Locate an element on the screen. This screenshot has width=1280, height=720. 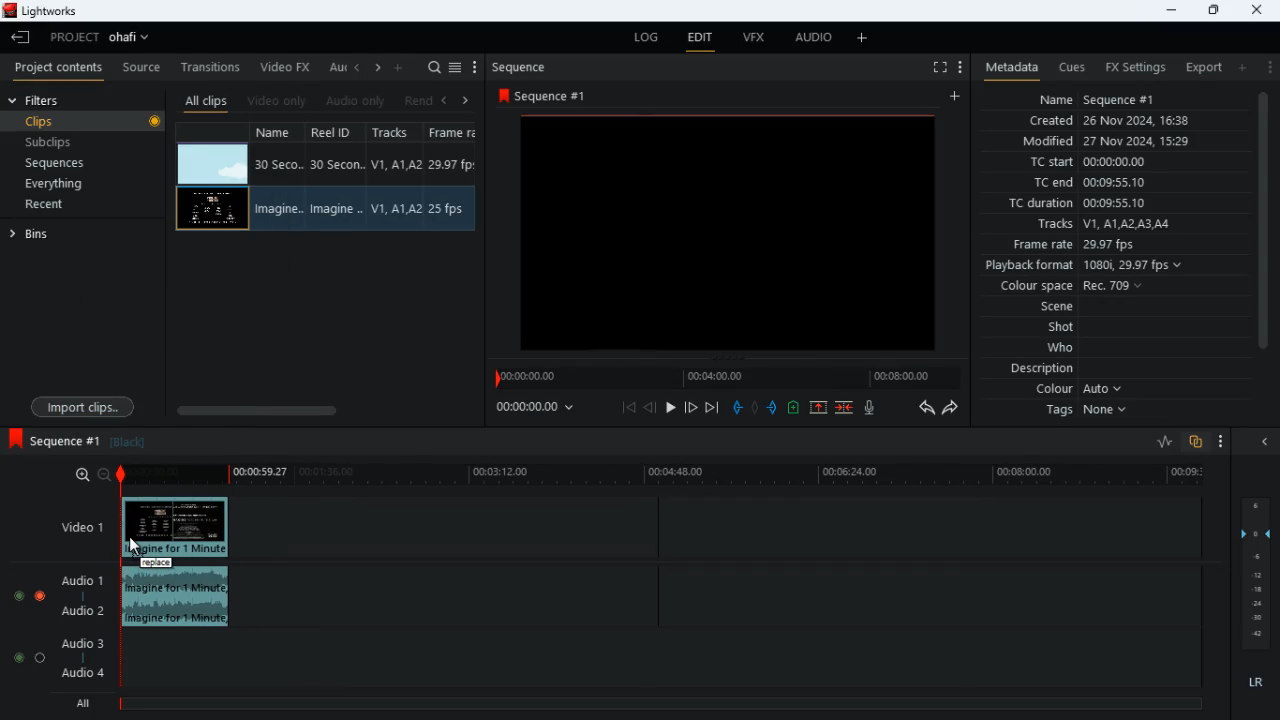
toggle is located at coordinates (14, 657).